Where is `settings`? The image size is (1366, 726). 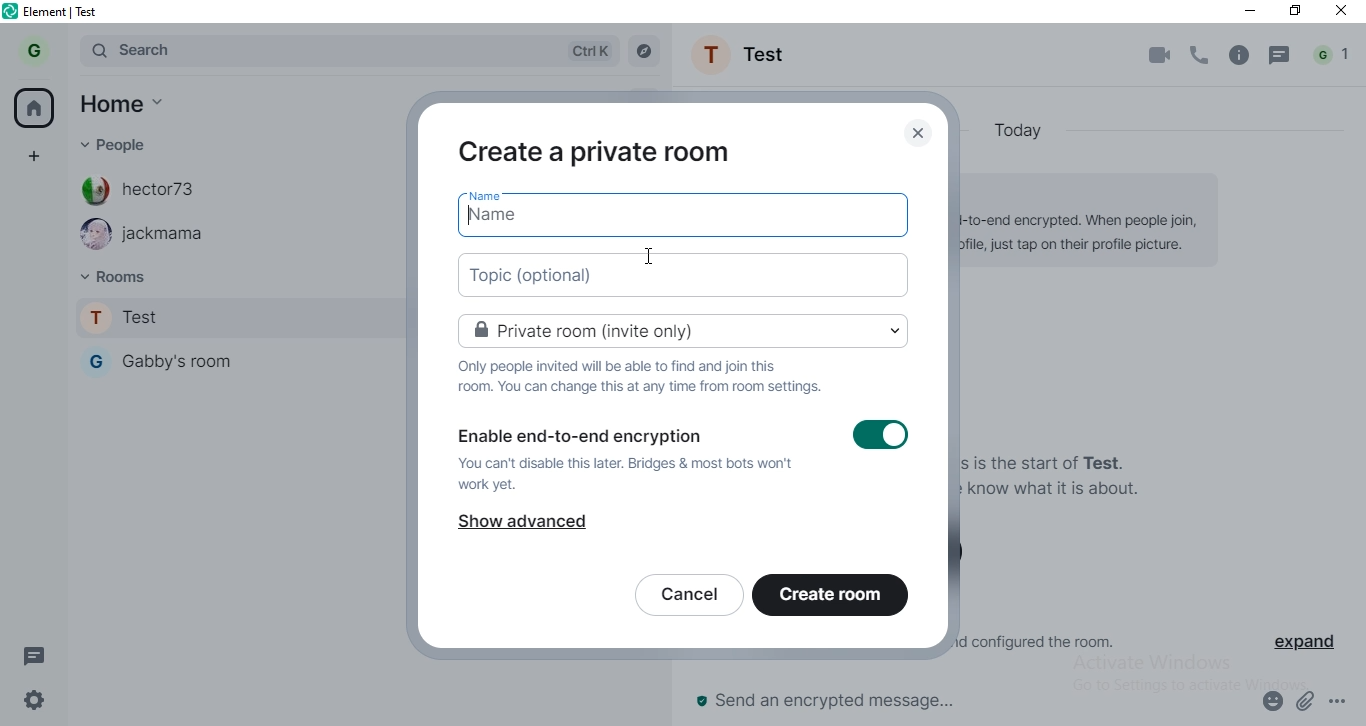
settings is located at coordinates (34, 699).